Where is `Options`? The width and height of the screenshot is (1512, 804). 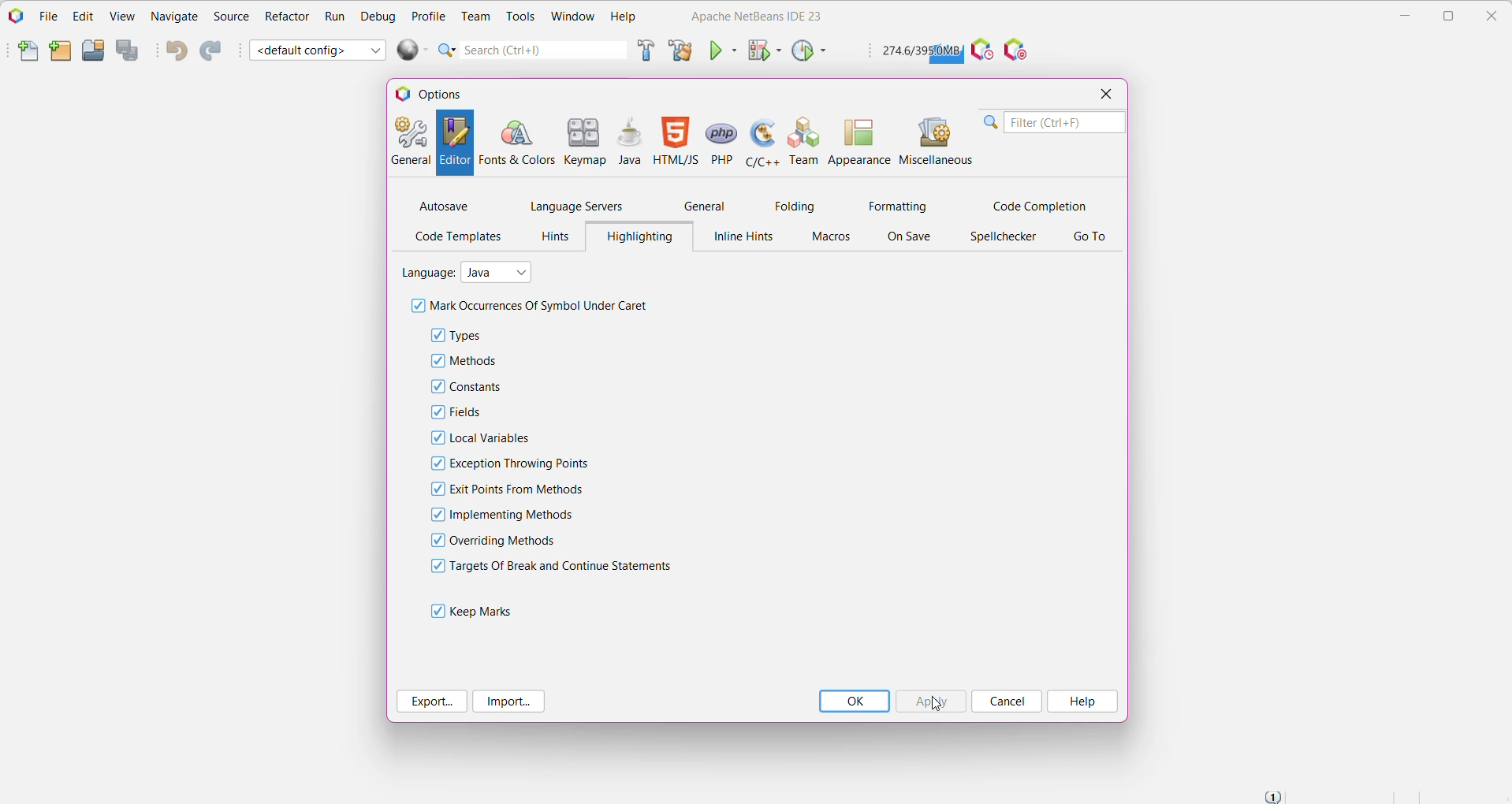
Options is located at coordinates (448, 94).